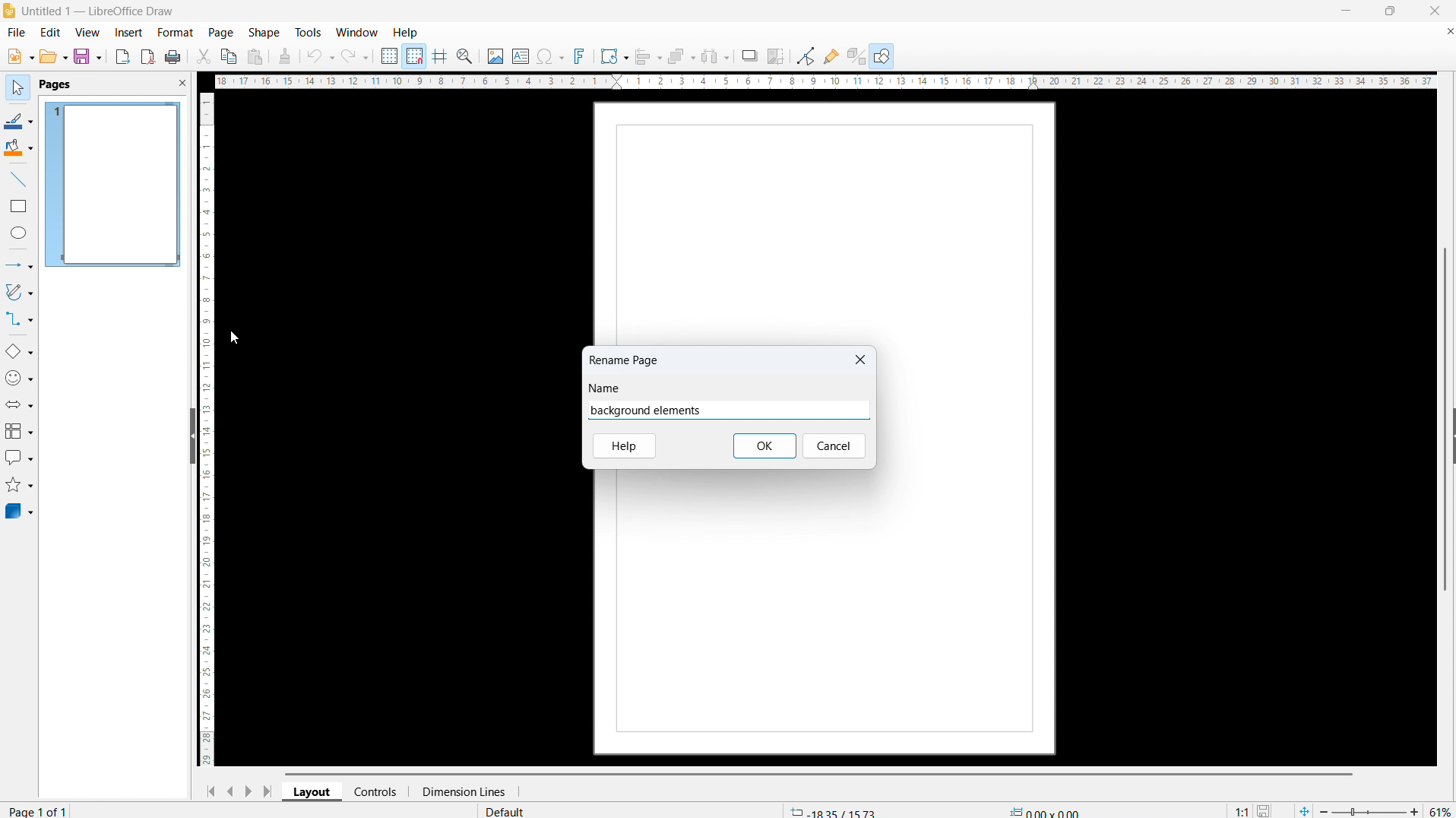 Image resolution: width=1456 pixels, height=818 pixels. Describe the element at coordinates (307, 32) in the screenshot. I see `tools` at that location.